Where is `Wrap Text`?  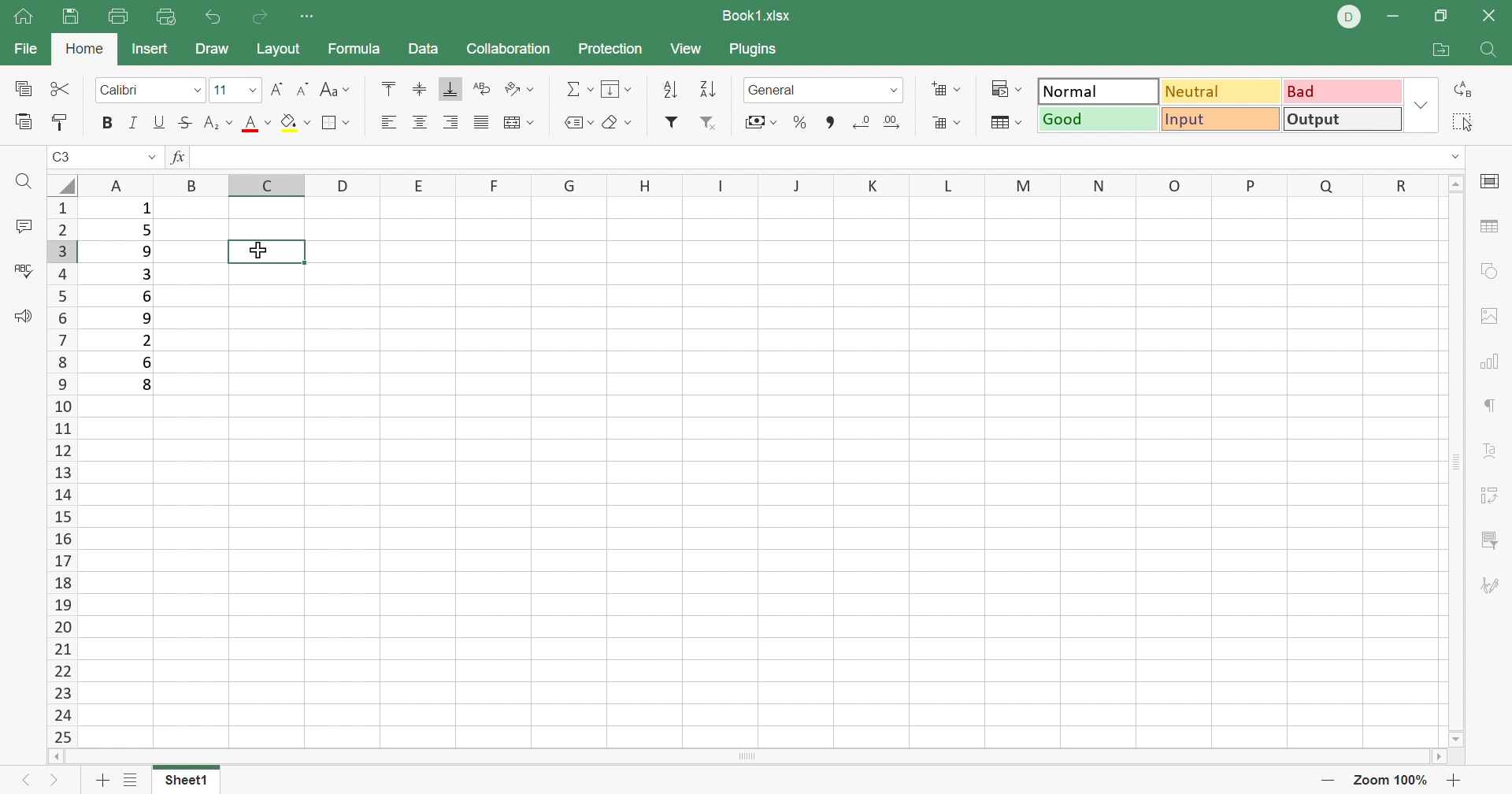
Wrap Text is located at coordinates (484, 91).